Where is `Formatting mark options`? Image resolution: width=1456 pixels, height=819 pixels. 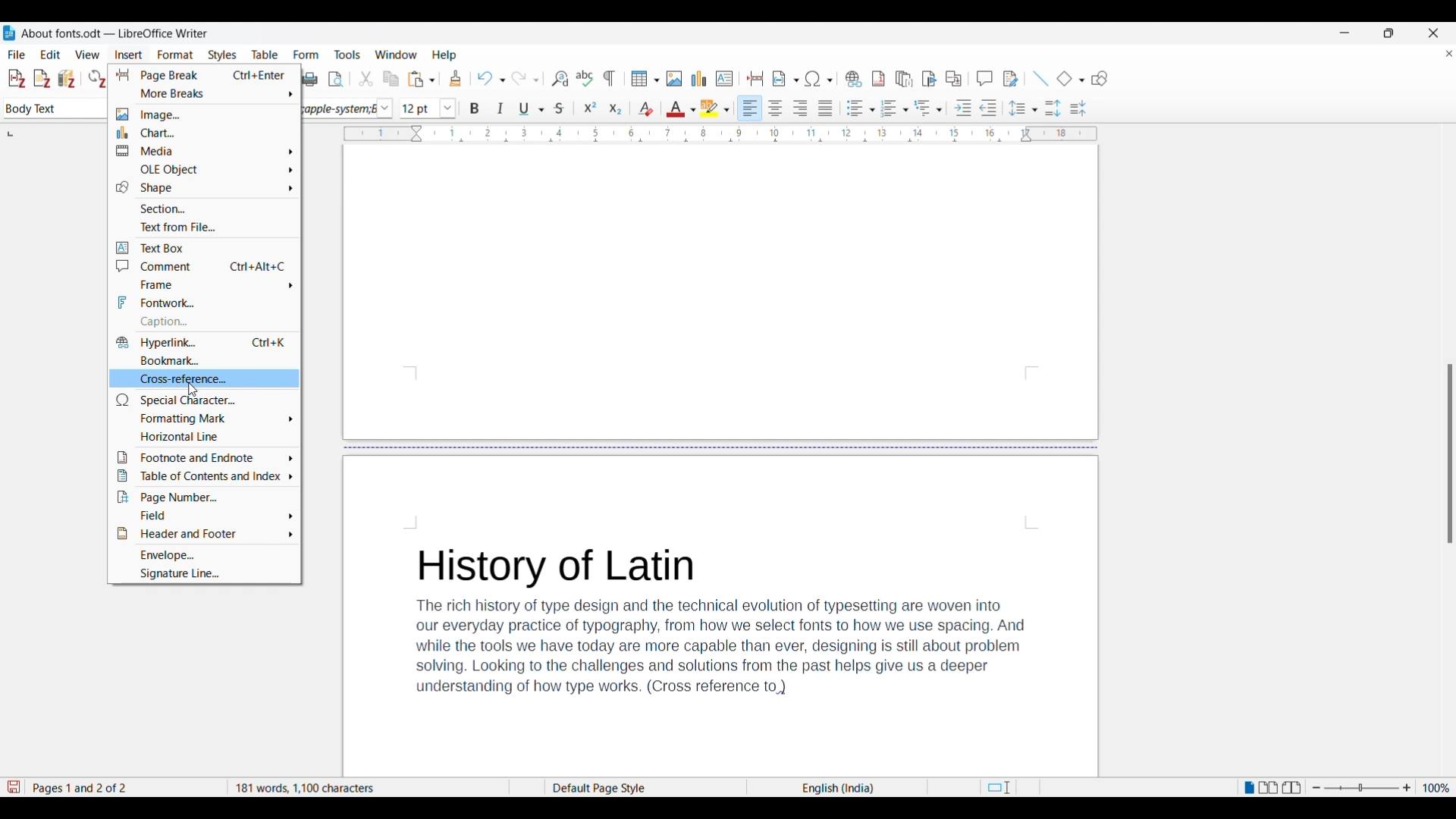 Formatting mark options is located at coordinates (205, 419).